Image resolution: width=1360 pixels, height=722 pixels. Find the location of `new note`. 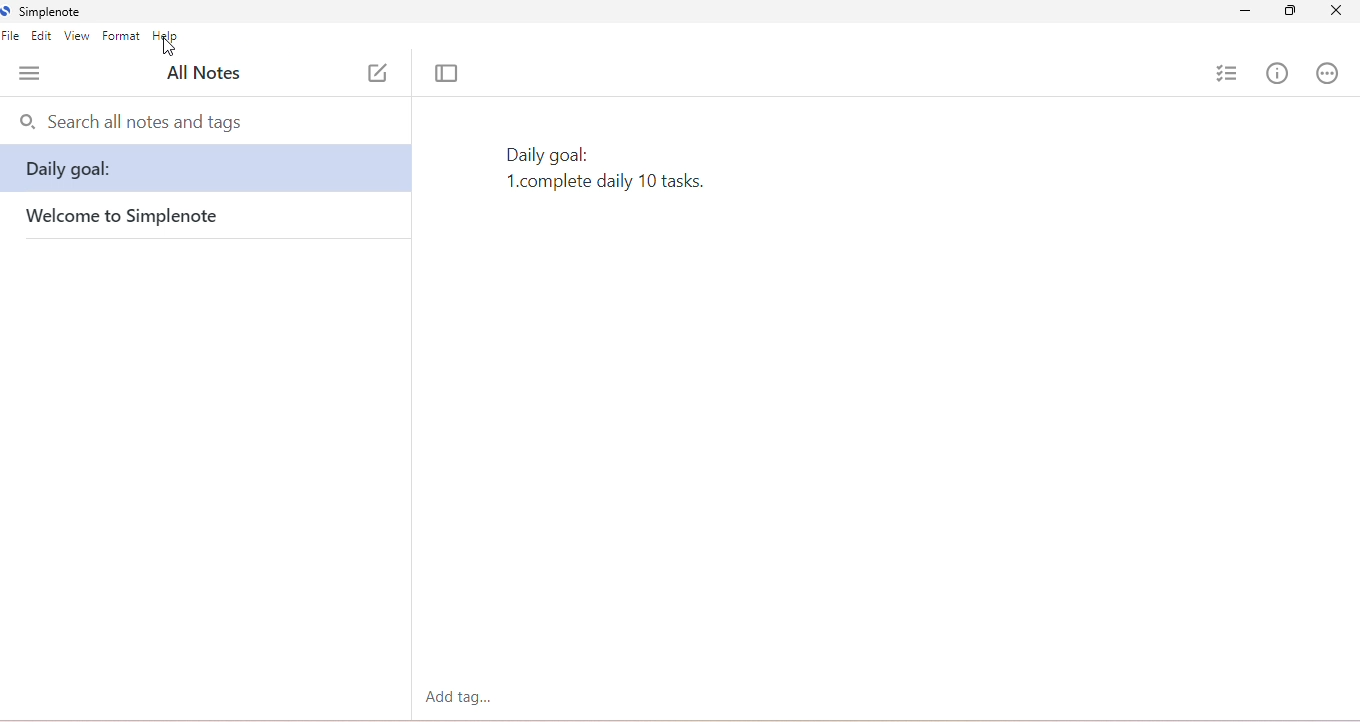

new note is located at coordinates (377, 72).